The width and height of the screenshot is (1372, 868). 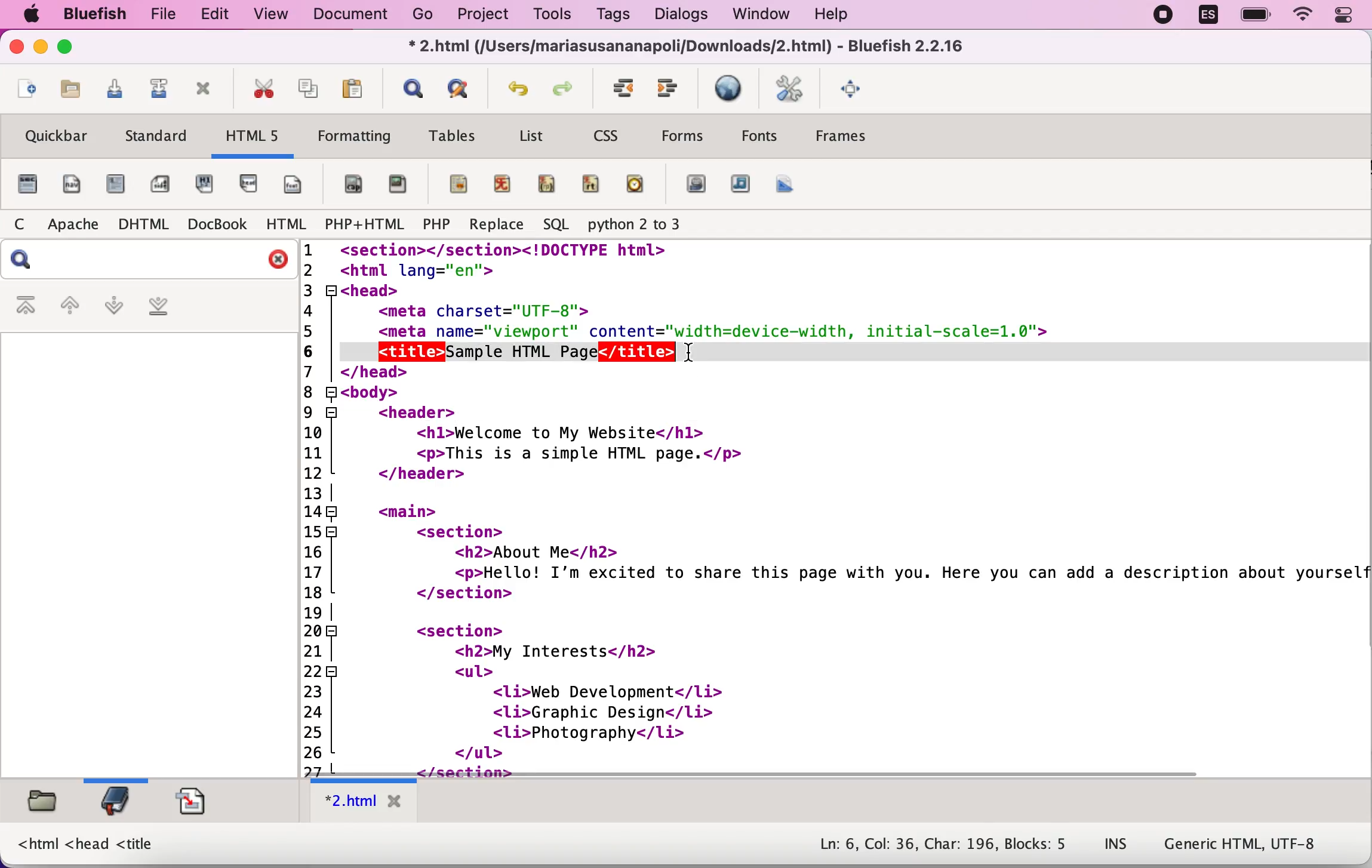 I want to click on Z.nimi (jusers/mariasusananapolijoownioads/<z.ntmi) - siuerisn 2.2.10, so click(x=690, y=45).